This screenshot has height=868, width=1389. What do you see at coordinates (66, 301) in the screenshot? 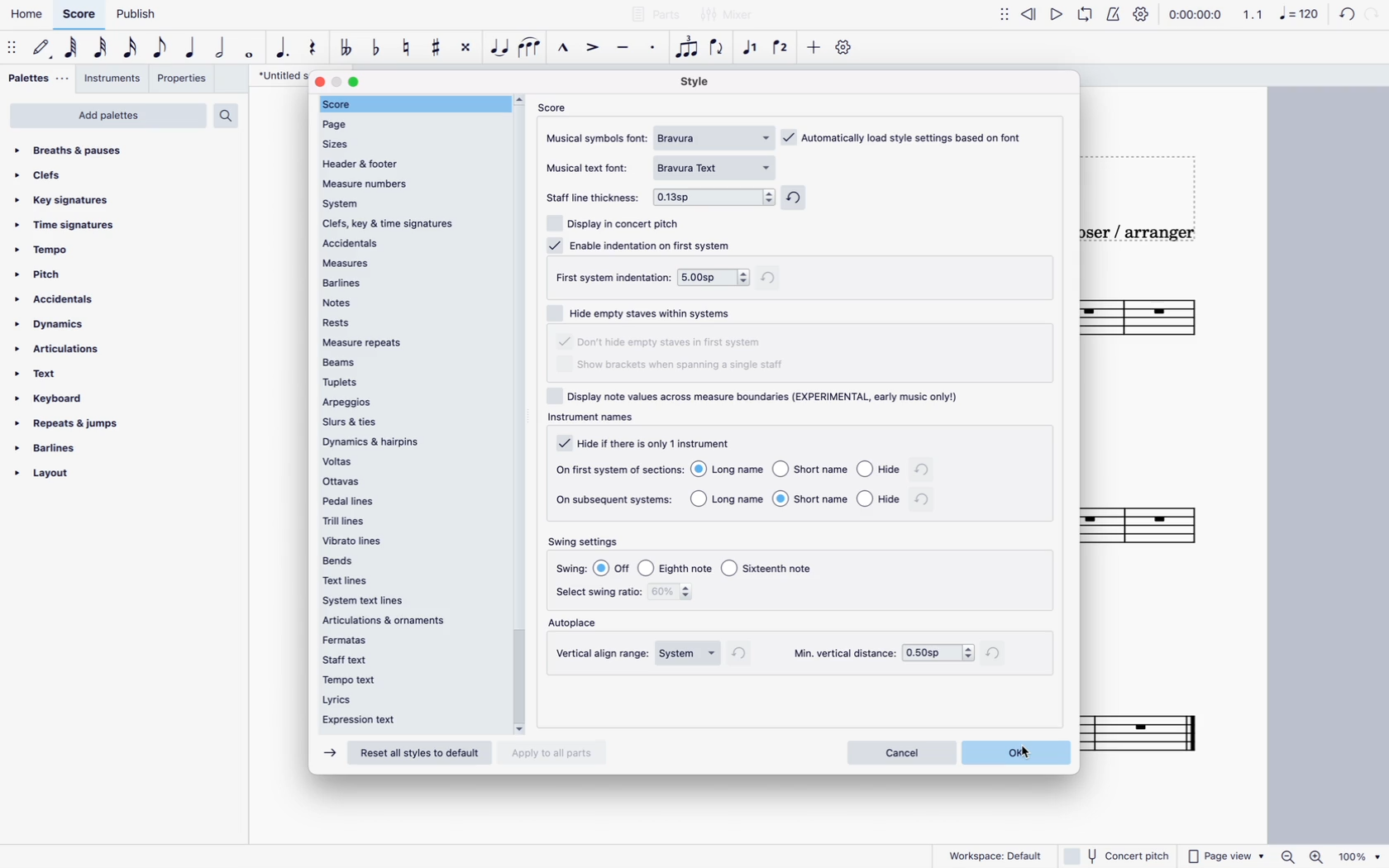
I see `accidentals` at bounding box center [66, 301].